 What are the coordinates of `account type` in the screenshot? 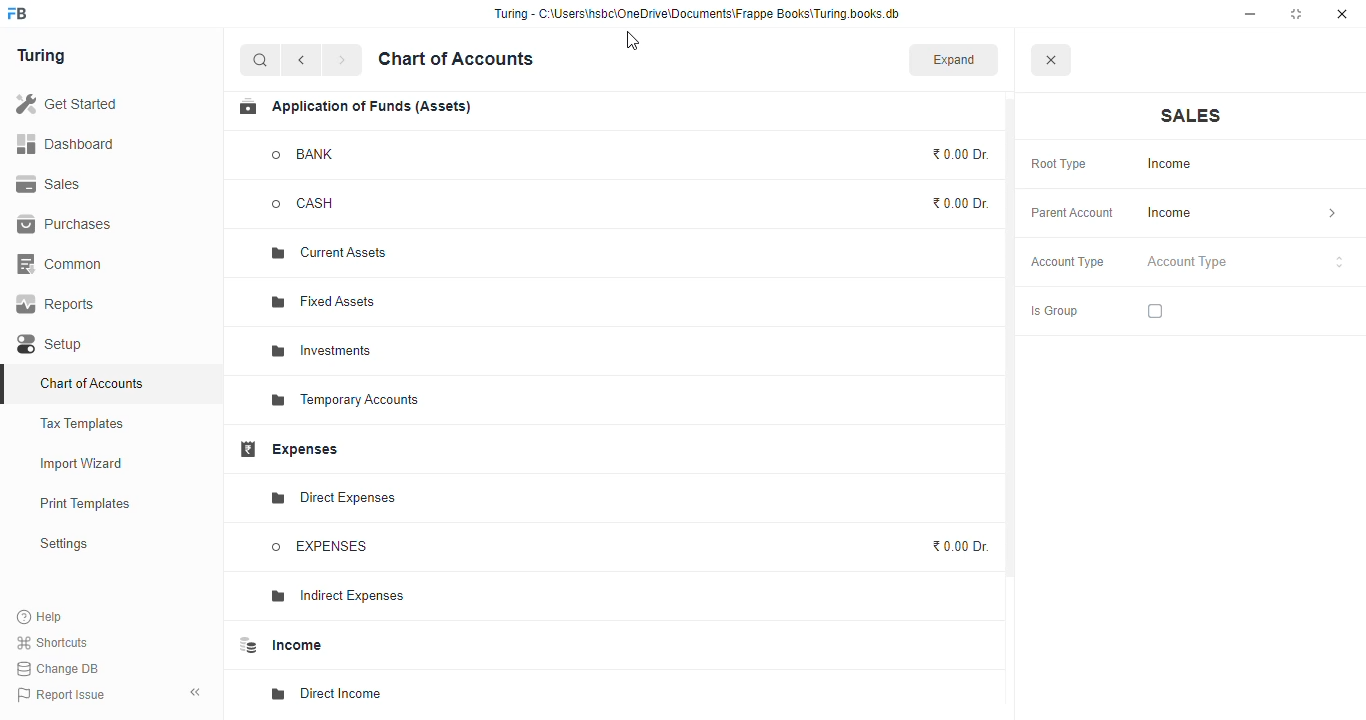 It's located at (1246, 262).